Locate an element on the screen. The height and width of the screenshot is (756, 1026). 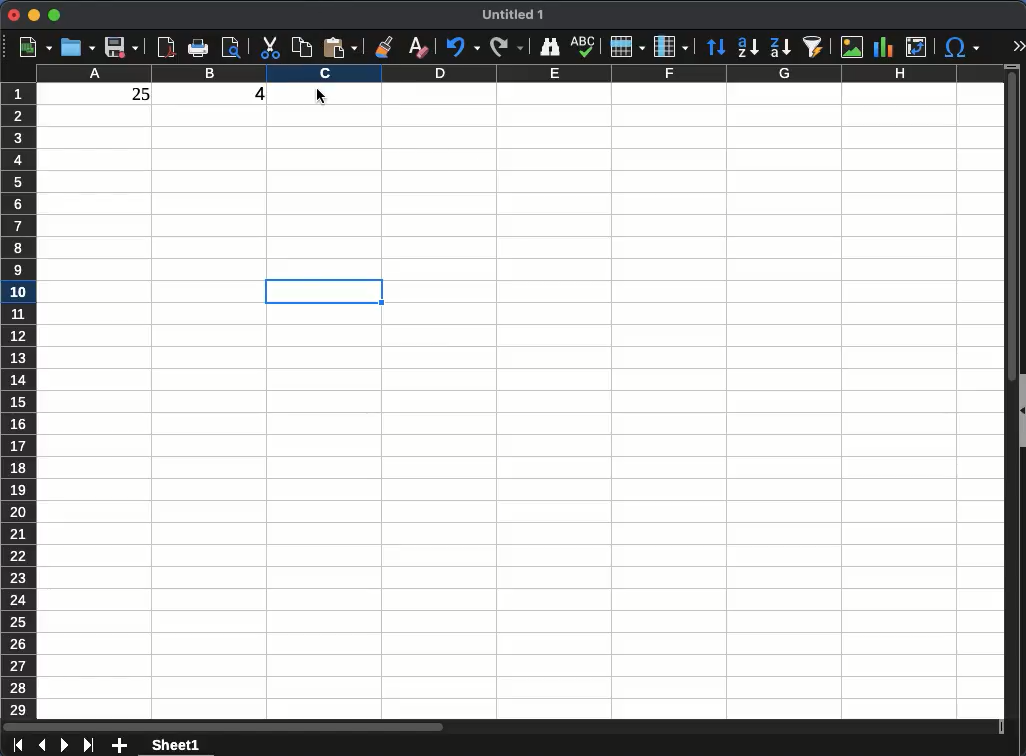
maximize is located at coordinates (53, 15).